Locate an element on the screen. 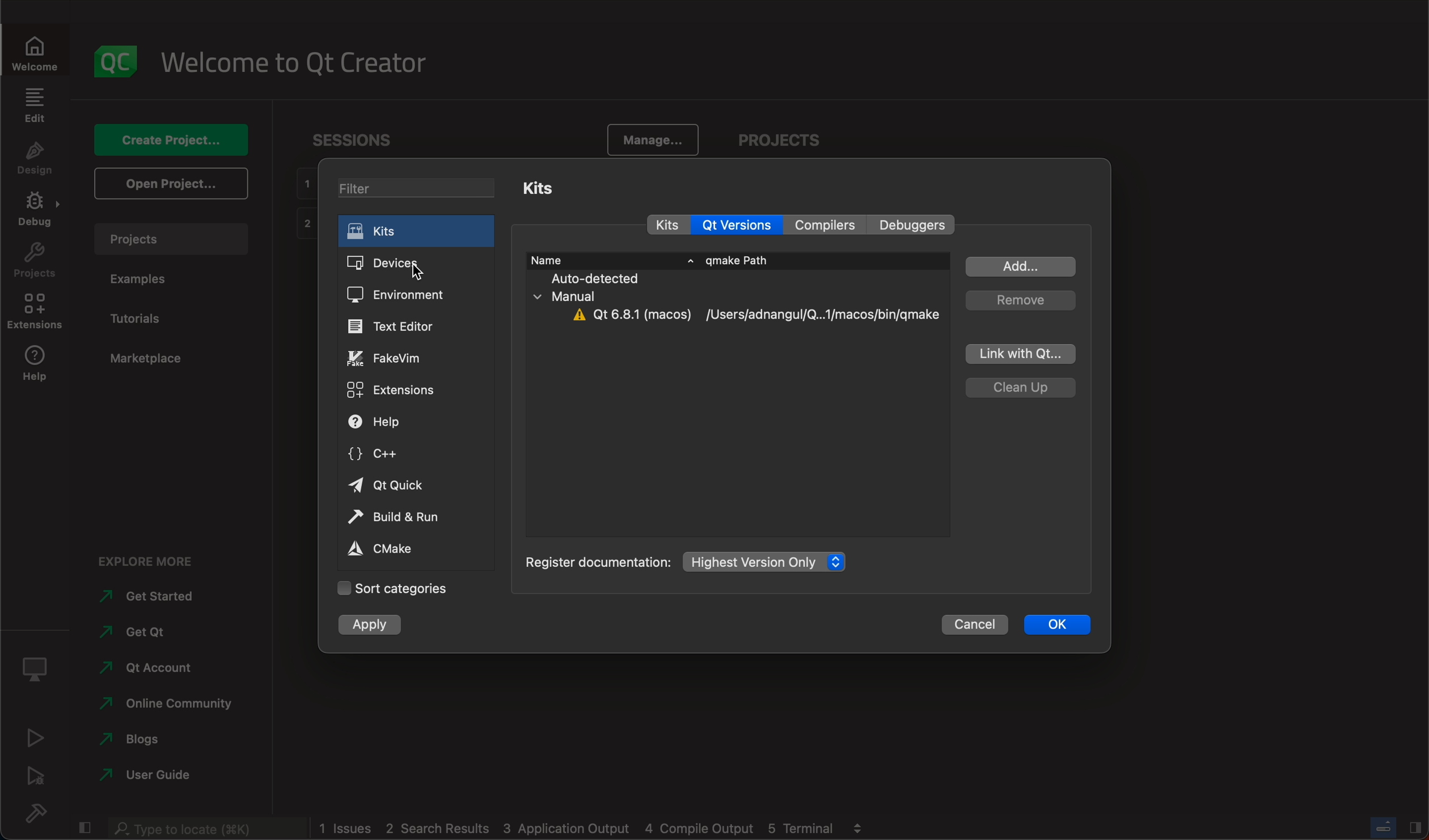  marketplace is located at coordinates (150, 360).